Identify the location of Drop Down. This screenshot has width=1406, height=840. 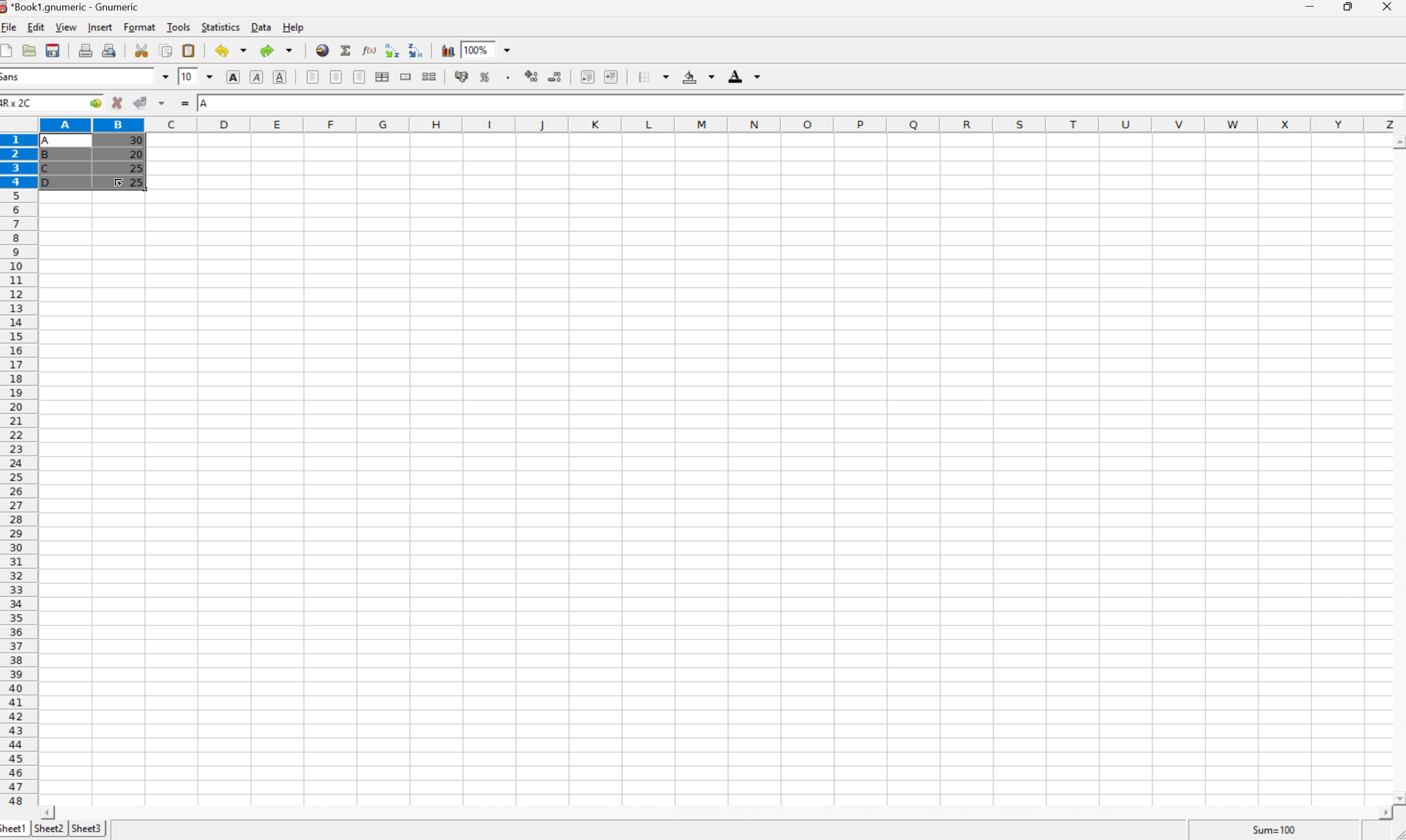
(210, 76).